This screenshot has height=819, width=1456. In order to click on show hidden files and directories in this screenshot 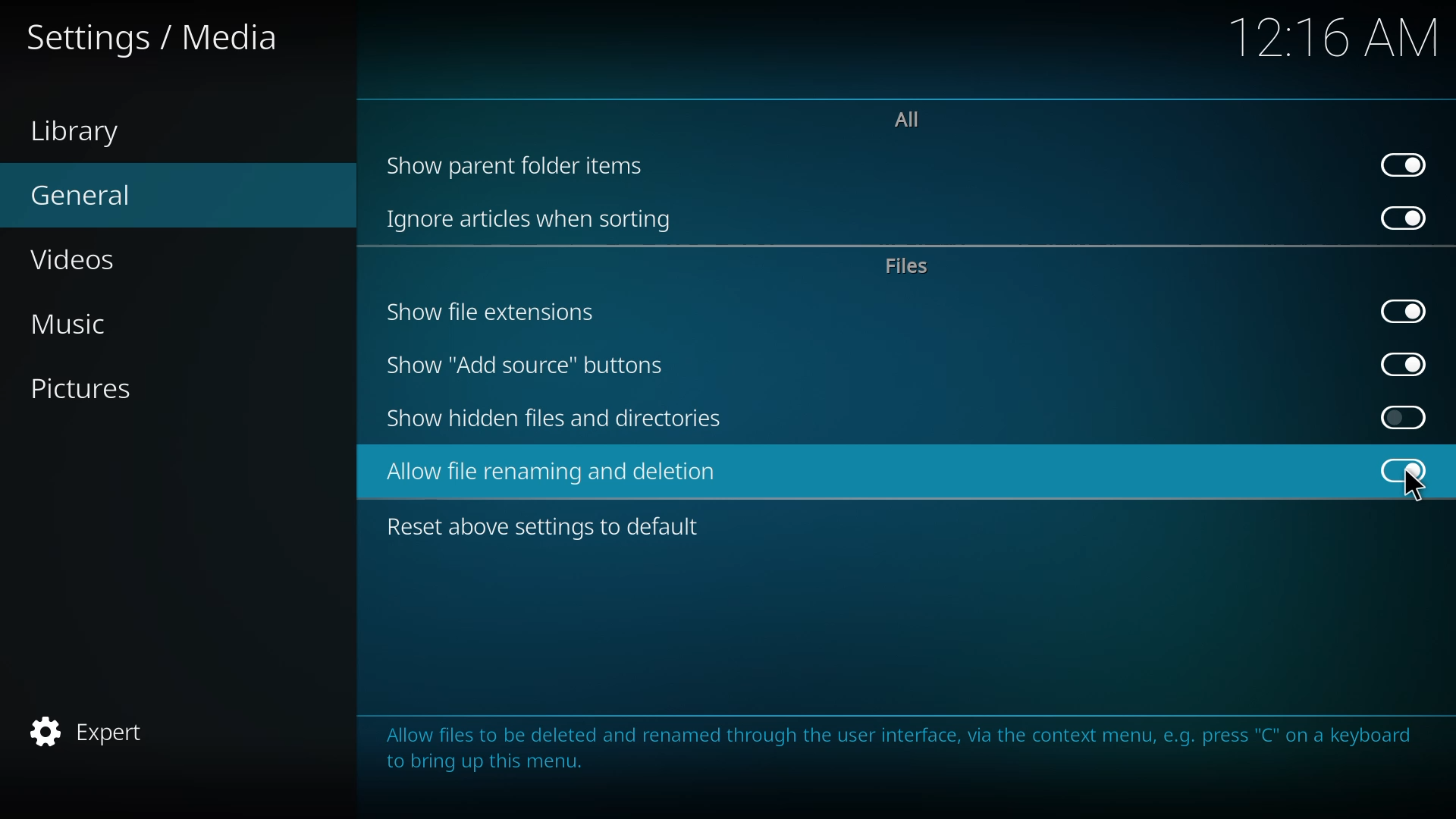, I will do `click(557, 418)`.